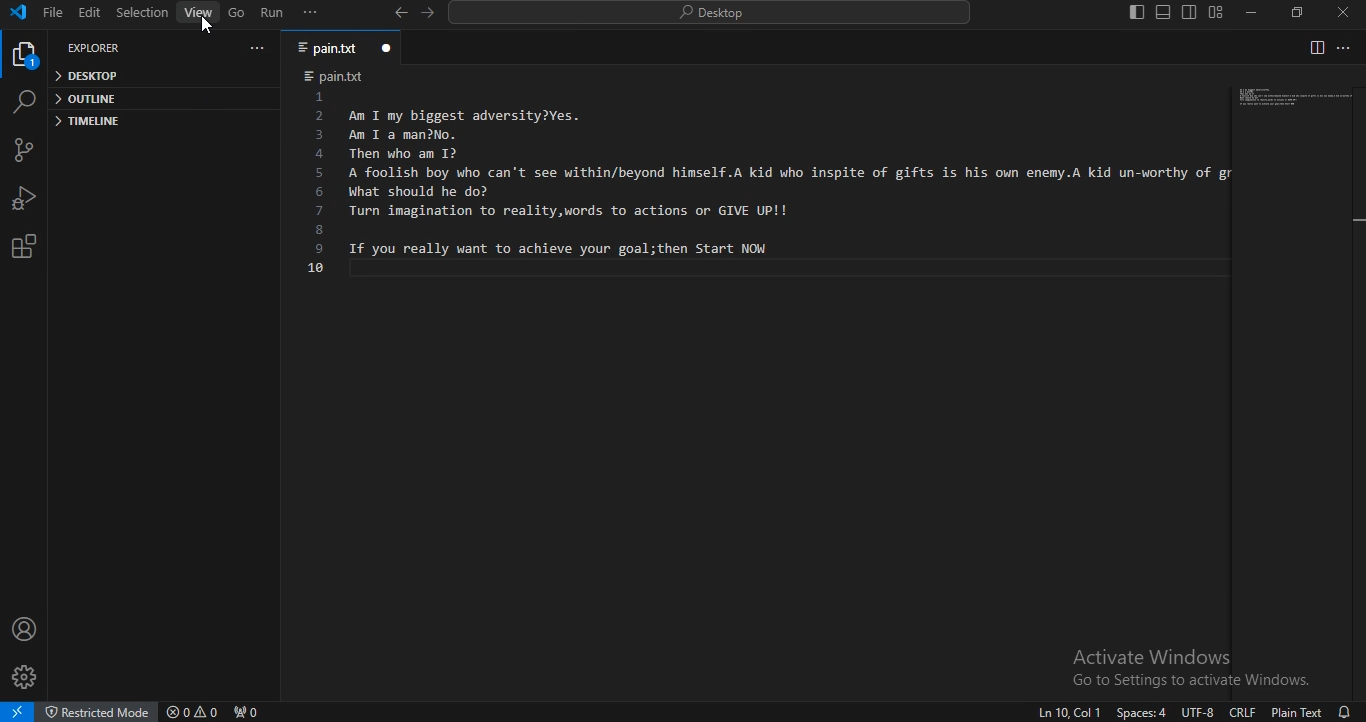 This screenshot has width=1366, height=722. Describe the element at coordinates (1301, 11) in the screenshot. I see `restore` at that location.